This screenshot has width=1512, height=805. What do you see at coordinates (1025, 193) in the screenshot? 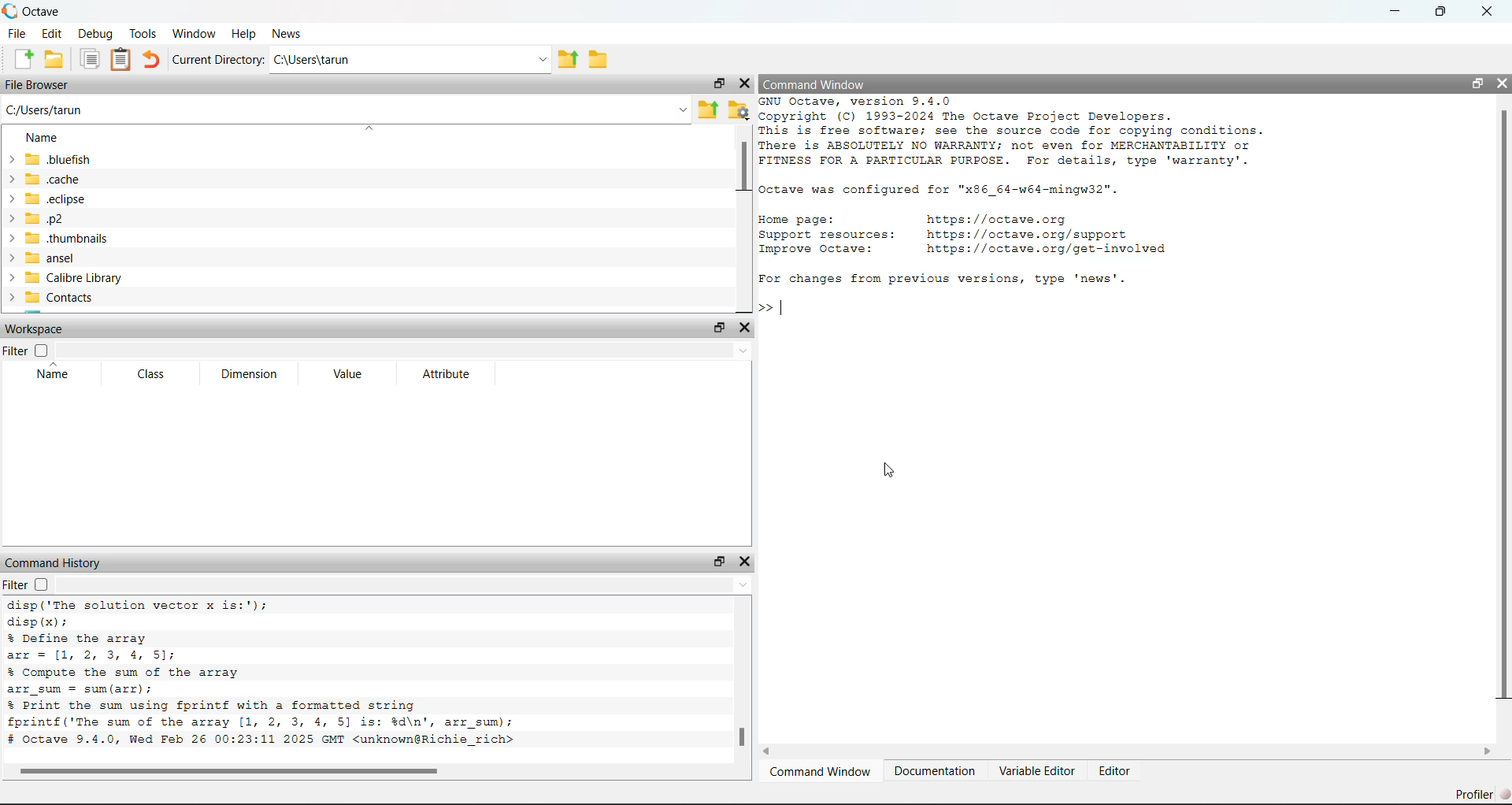
I see `GNU Octave, version 9.4.0

Copyright (C) 1993-2024 The Octave Project Developers.

This is free software; see the source code for copying conditions.
There is ABSOLUTELY NO WARRANTY; not even for MERCHANTABILITY or
FITNESS FOR A PARTICULAR PURPOSE. For details, type 'warranty'.
Octave was configured for "x86_64-w64-mingw32".

Home page: https: //octave.org

Support resources: https: //octave.org/support

Improve Octave: https://octave.org/get-involved

For changes from previous versions, type ‘news’.` at bounding box center [1025, 193].